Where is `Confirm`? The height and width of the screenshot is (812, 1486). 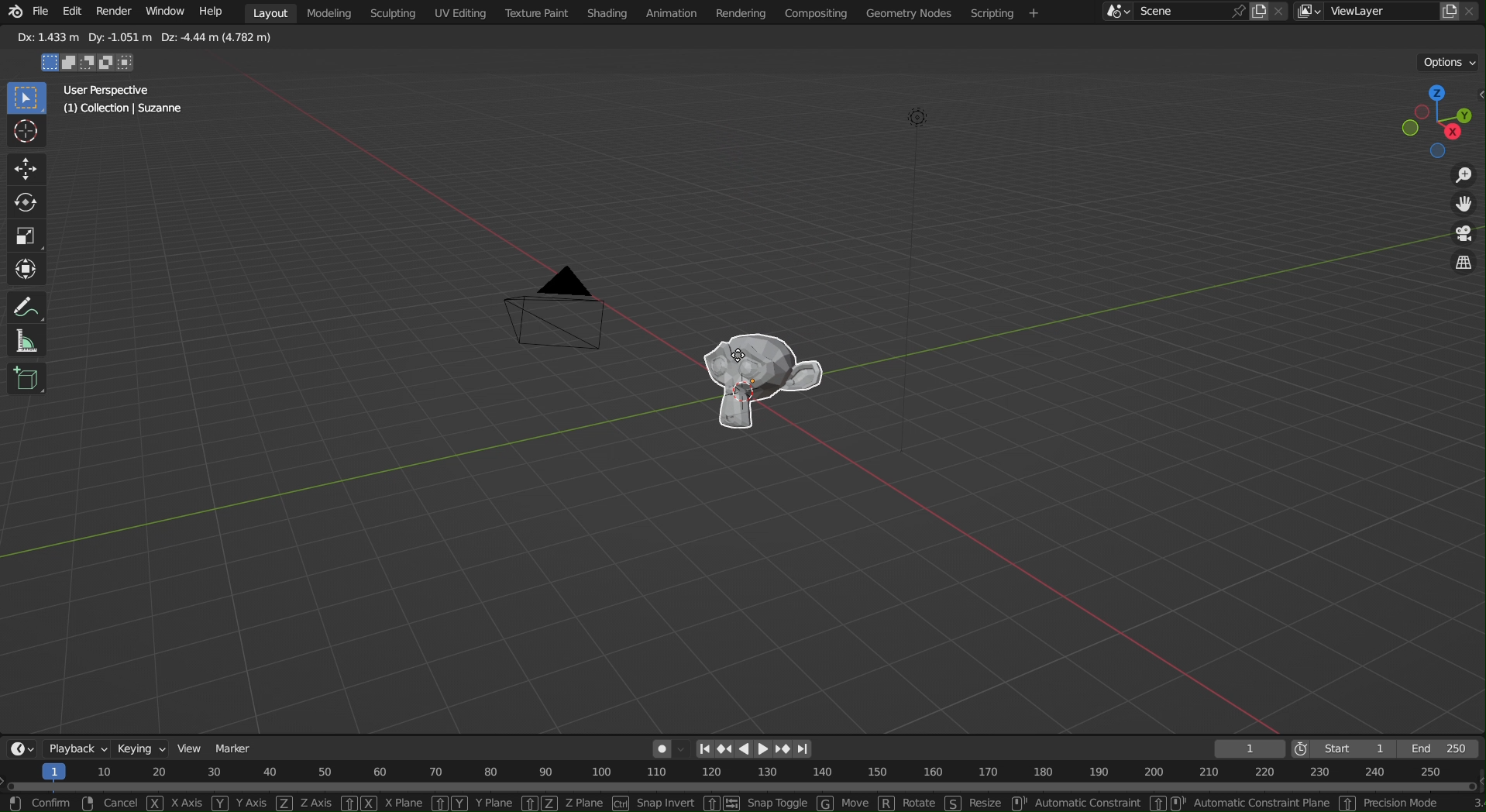
Confirm is located at coordinates (51, 803).